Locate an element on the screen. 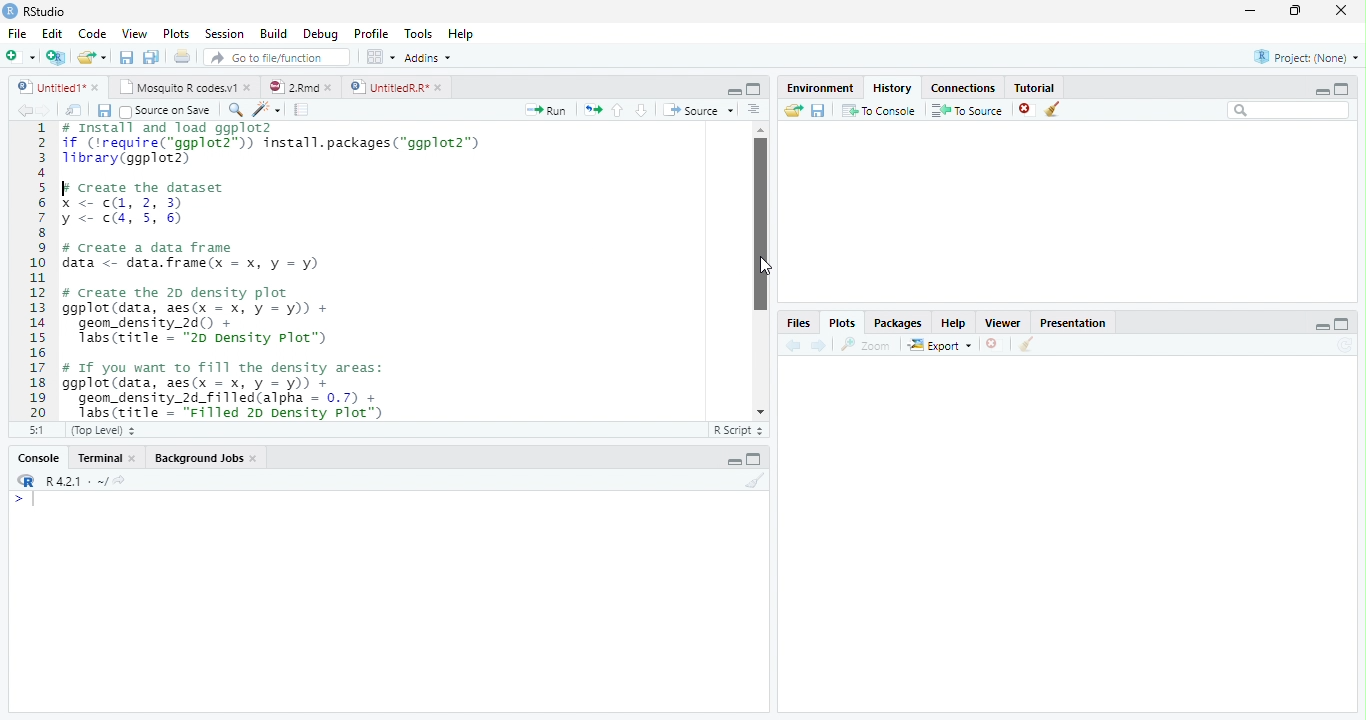 The width and height of the screenshot is (1366, 720). clear is located at coordinates (1053, 110).